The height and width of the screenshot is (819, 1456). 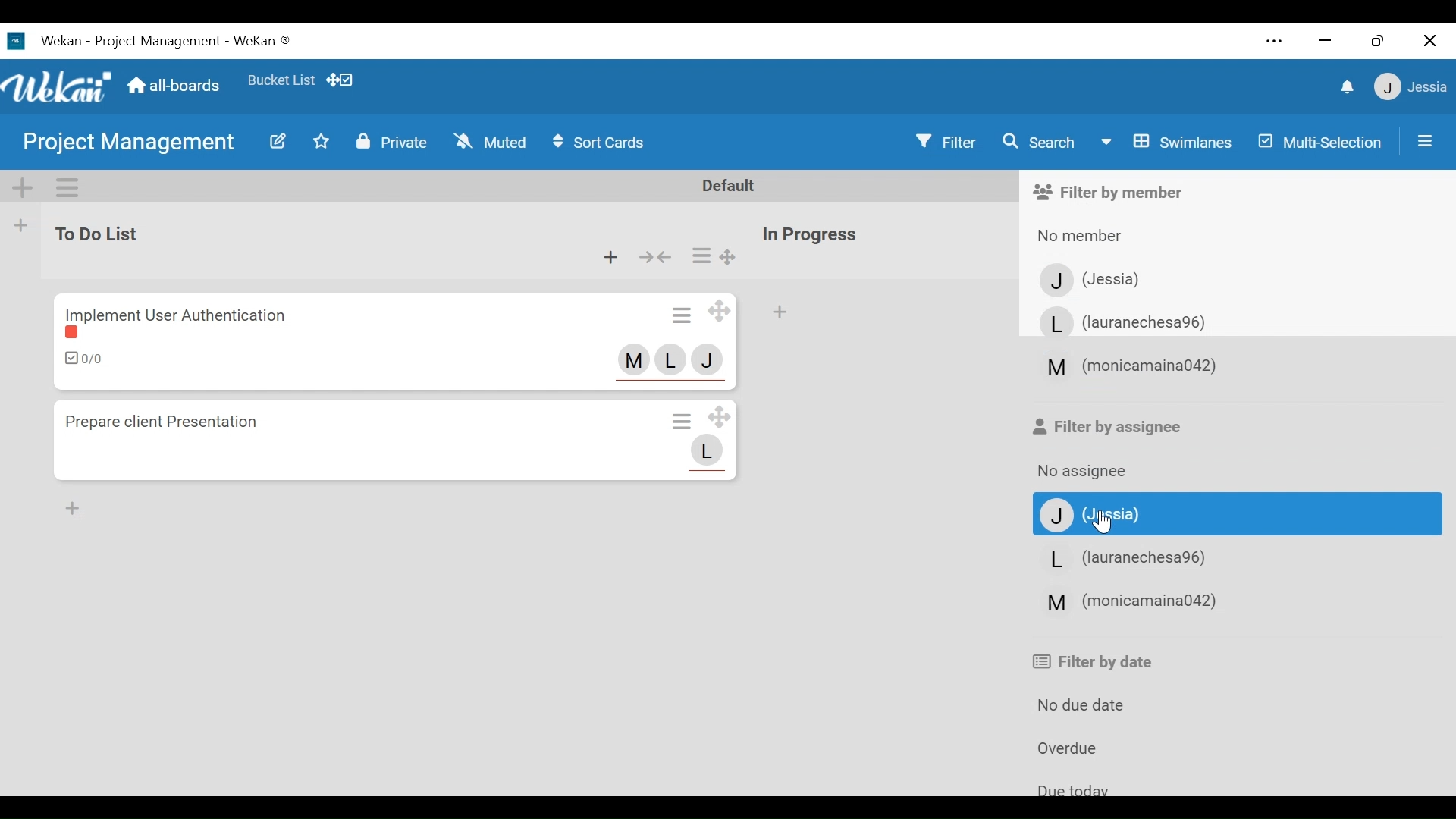 What do you see at coordinates (603, 143) in the screenshot?
I see `Sort Cards` at bounding box center [603, 143].